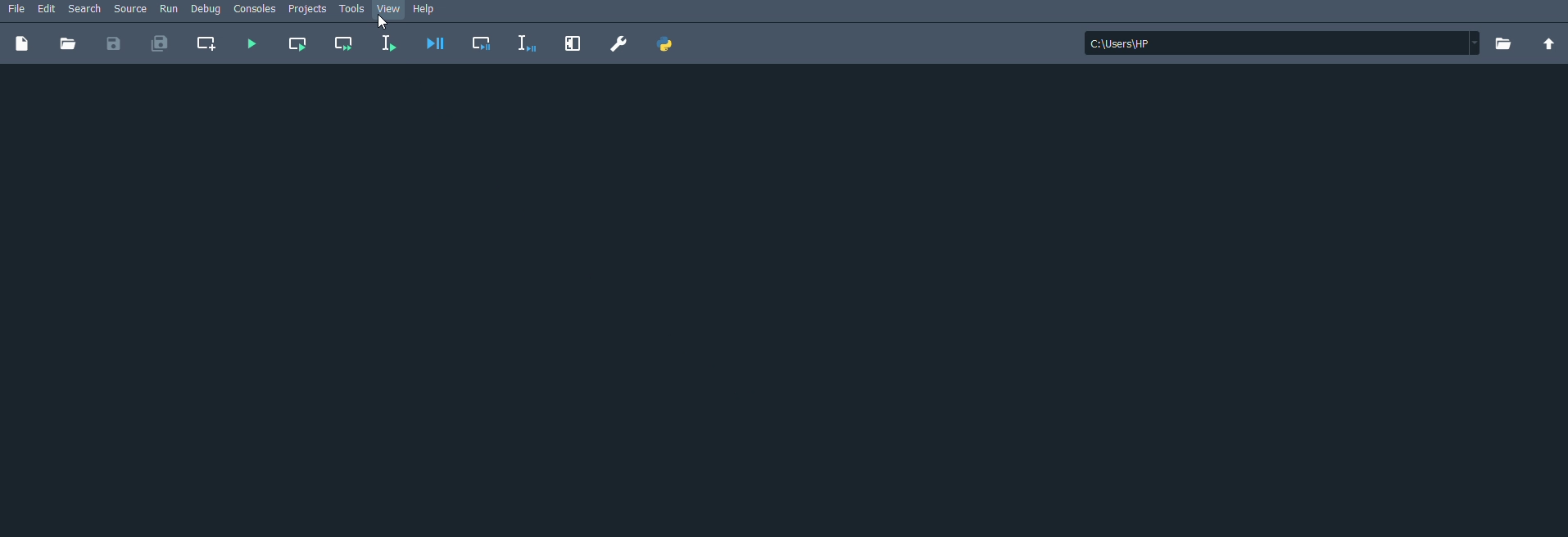 Image resolution: width=1568 pixels, height=537 pixels. What do you see at coordinates (383, 22) in the screenshot?
I see `Cursor` at bounding box center [383, 22].